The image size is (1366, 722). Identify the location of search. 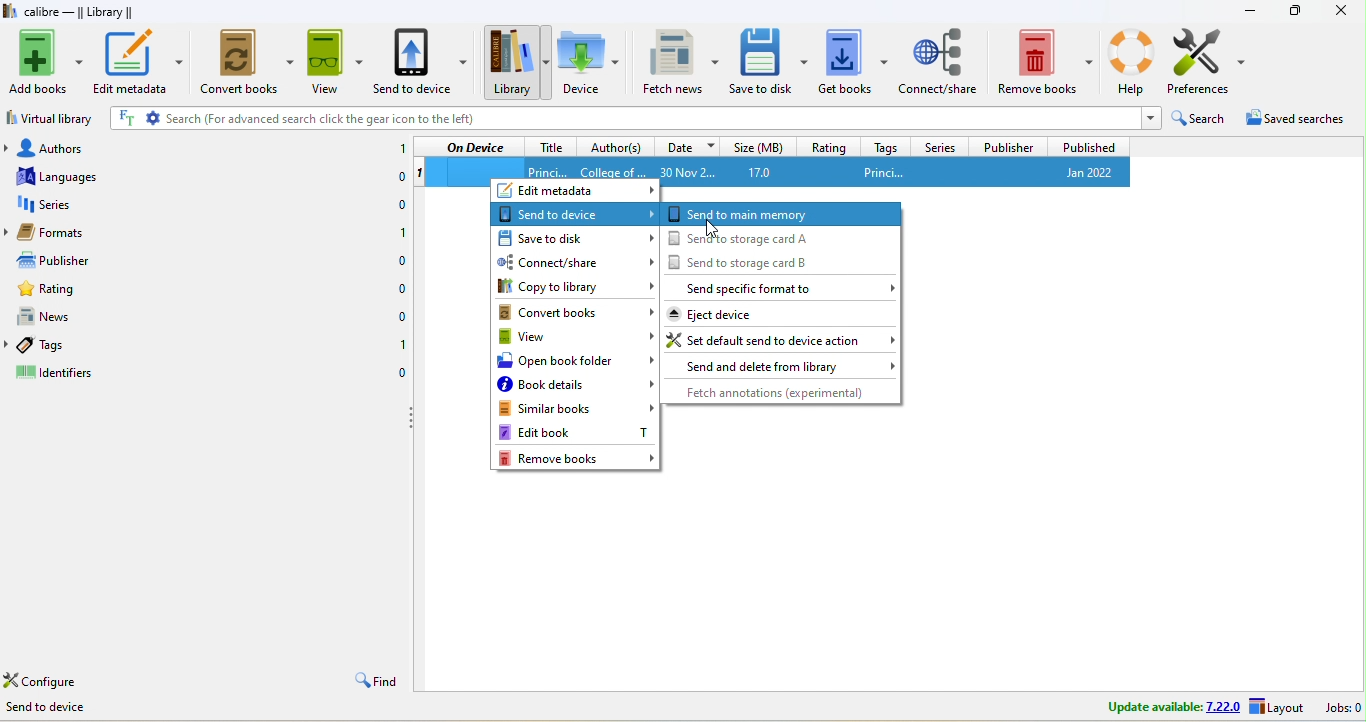
(1200, 121).